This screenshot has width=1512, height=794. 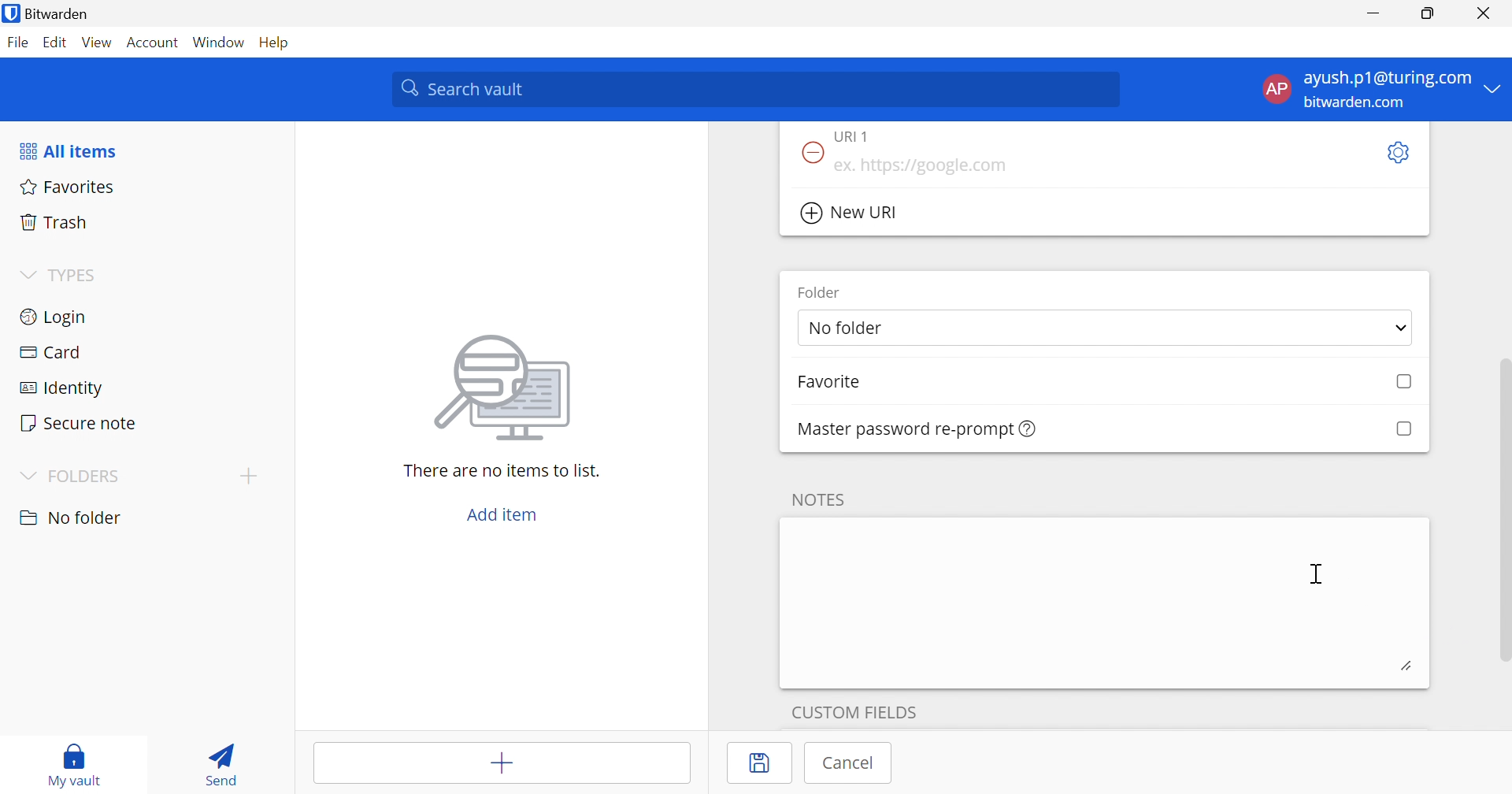 I want to click on Settings, so click(x=1396, y=154).